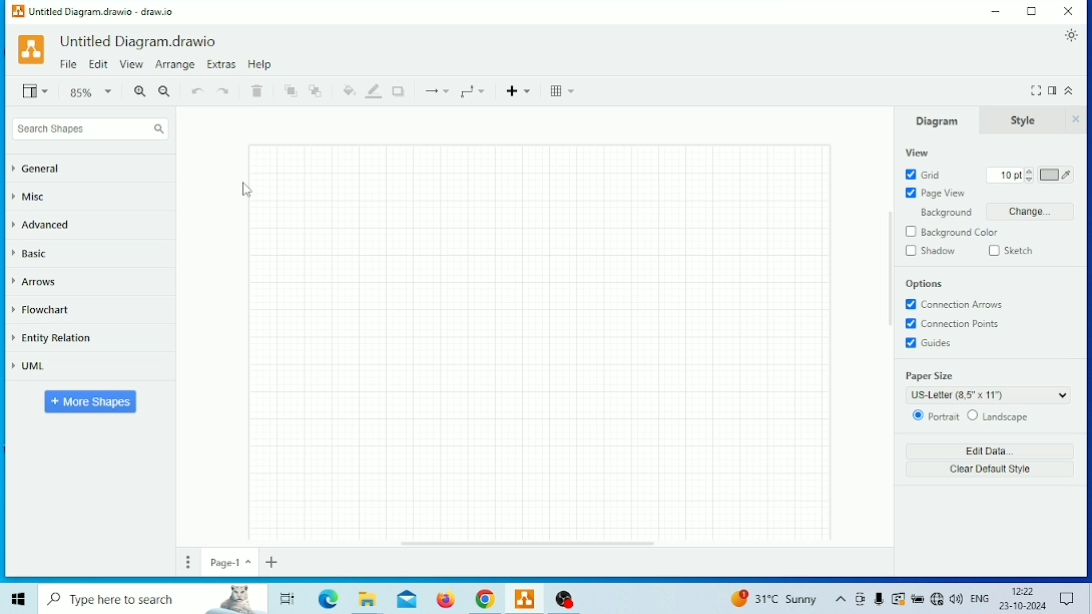 This screenshot has height=614, width=1092. Describe the element at coordinates (55, 339) in the screenshot. I see `Entity Relation` at that location.